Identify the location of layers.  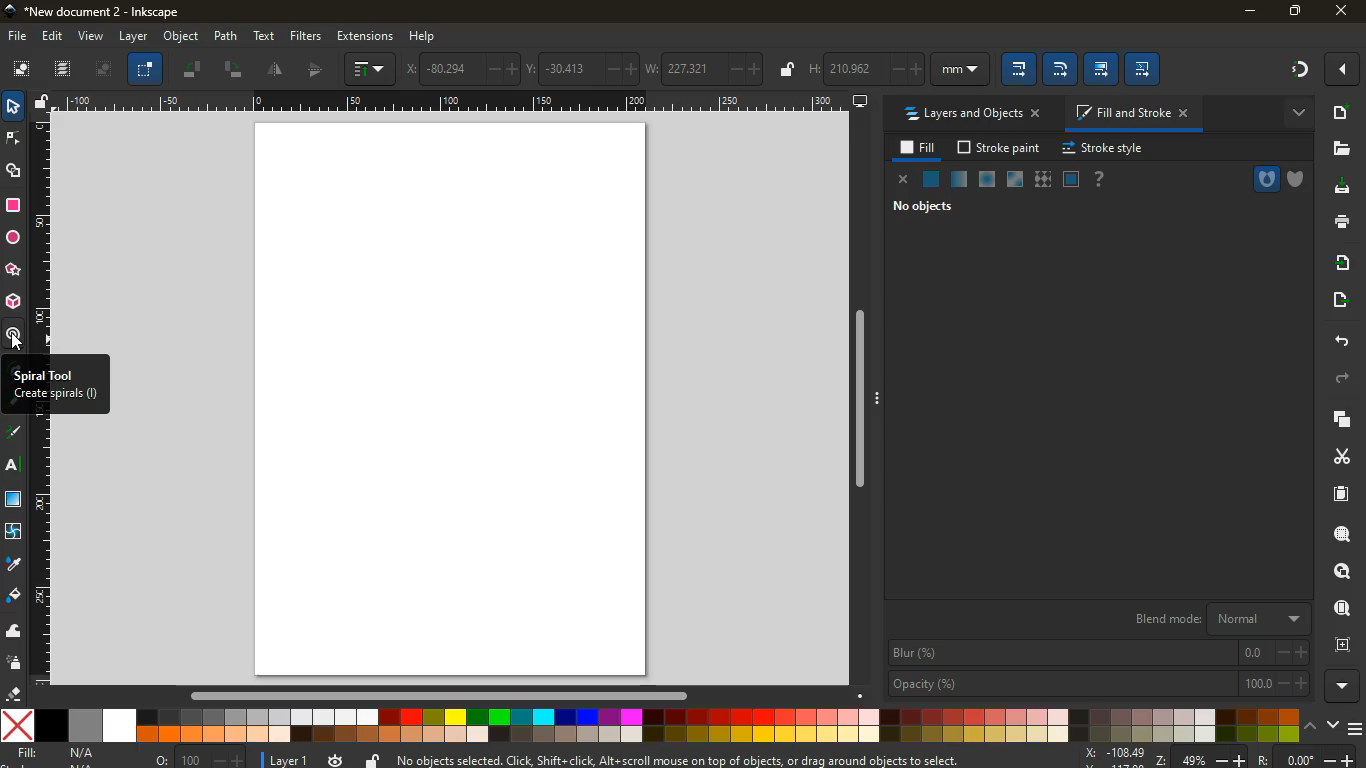
(1337, 423).